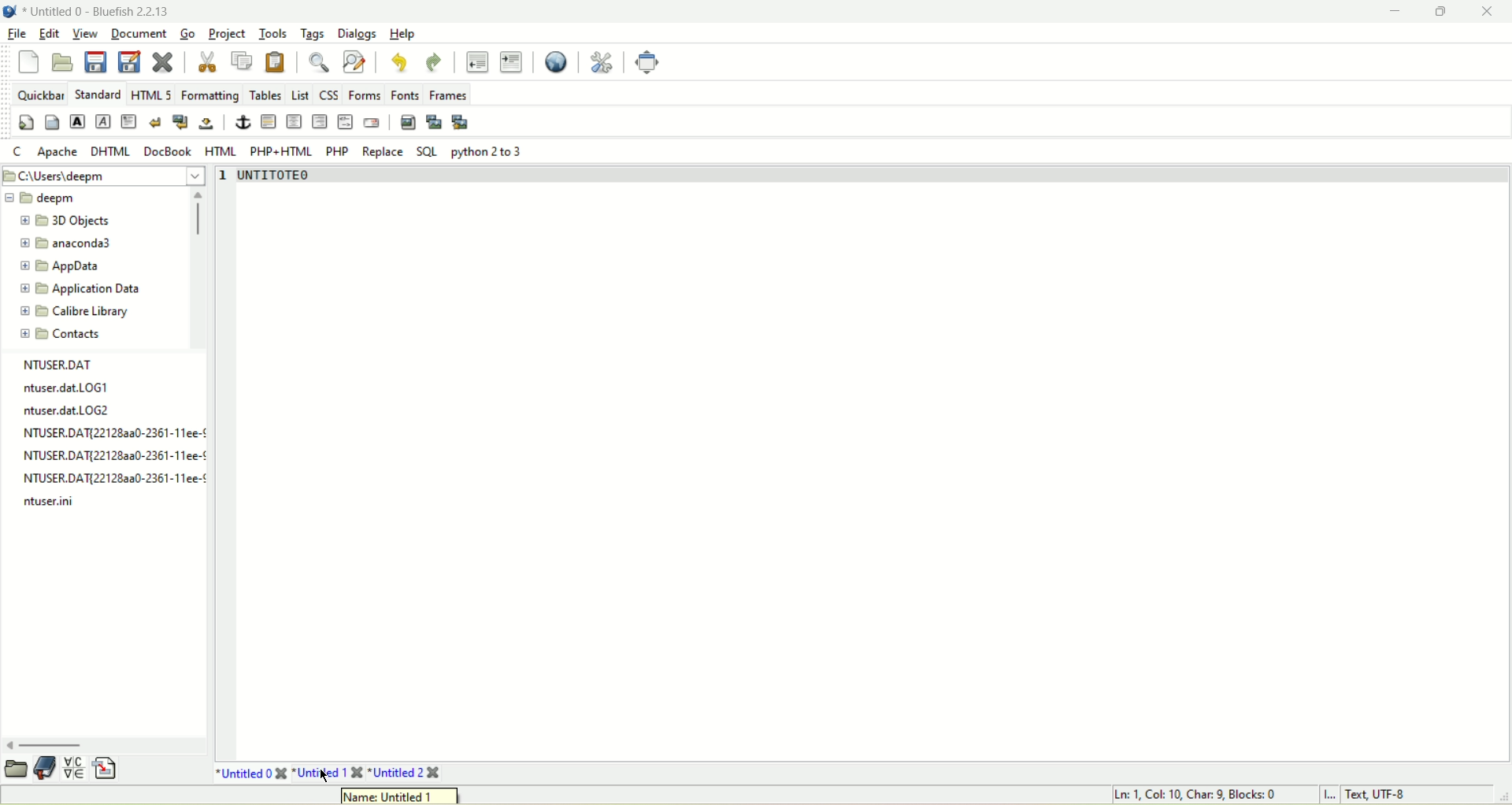  What do you see at coordinates (72, 412) in the screenshot?
I see `log` at bounding box center [72, 412].